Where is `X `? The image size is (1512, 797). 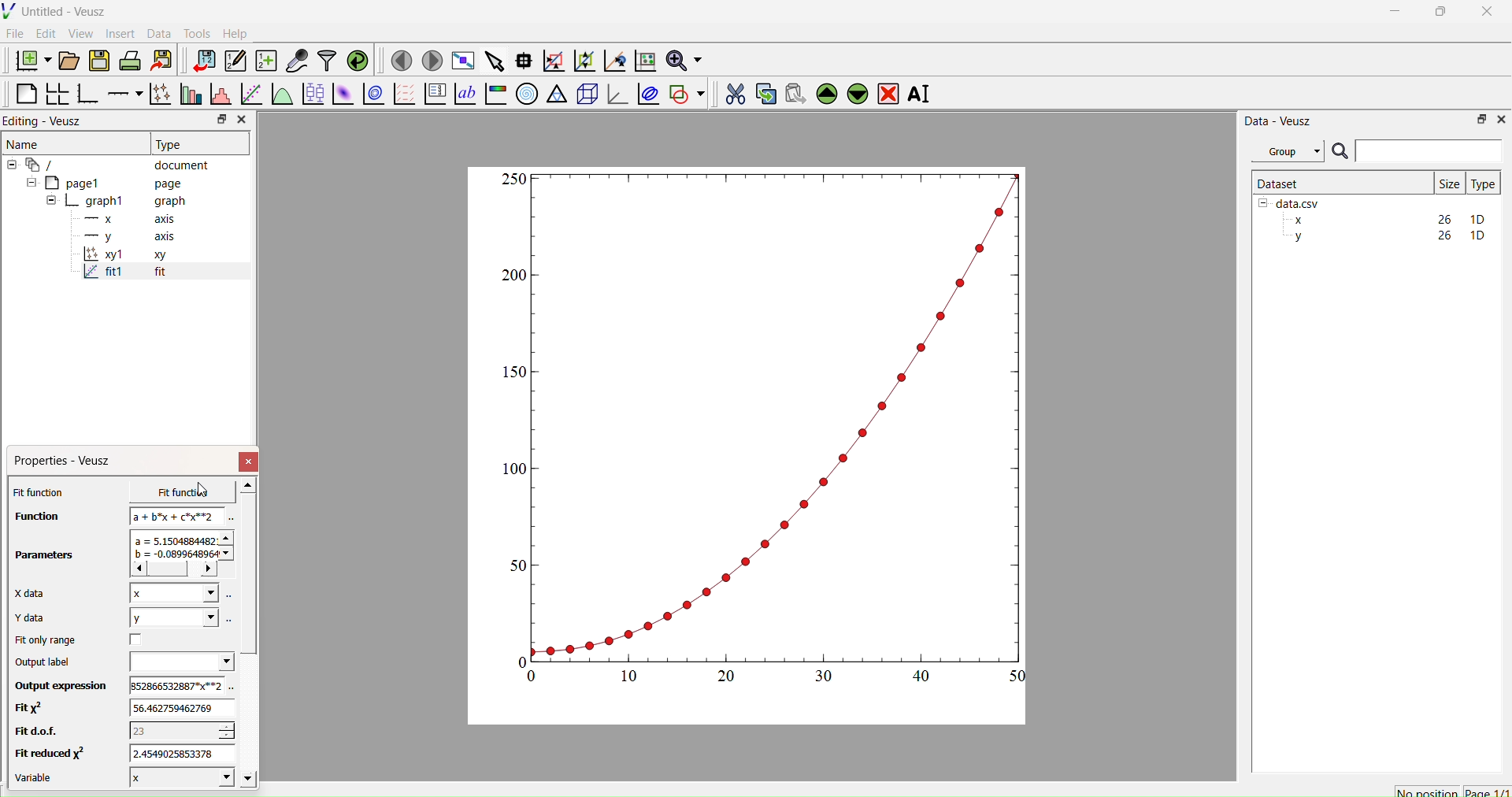 X  is located at coordinates (173, 777).